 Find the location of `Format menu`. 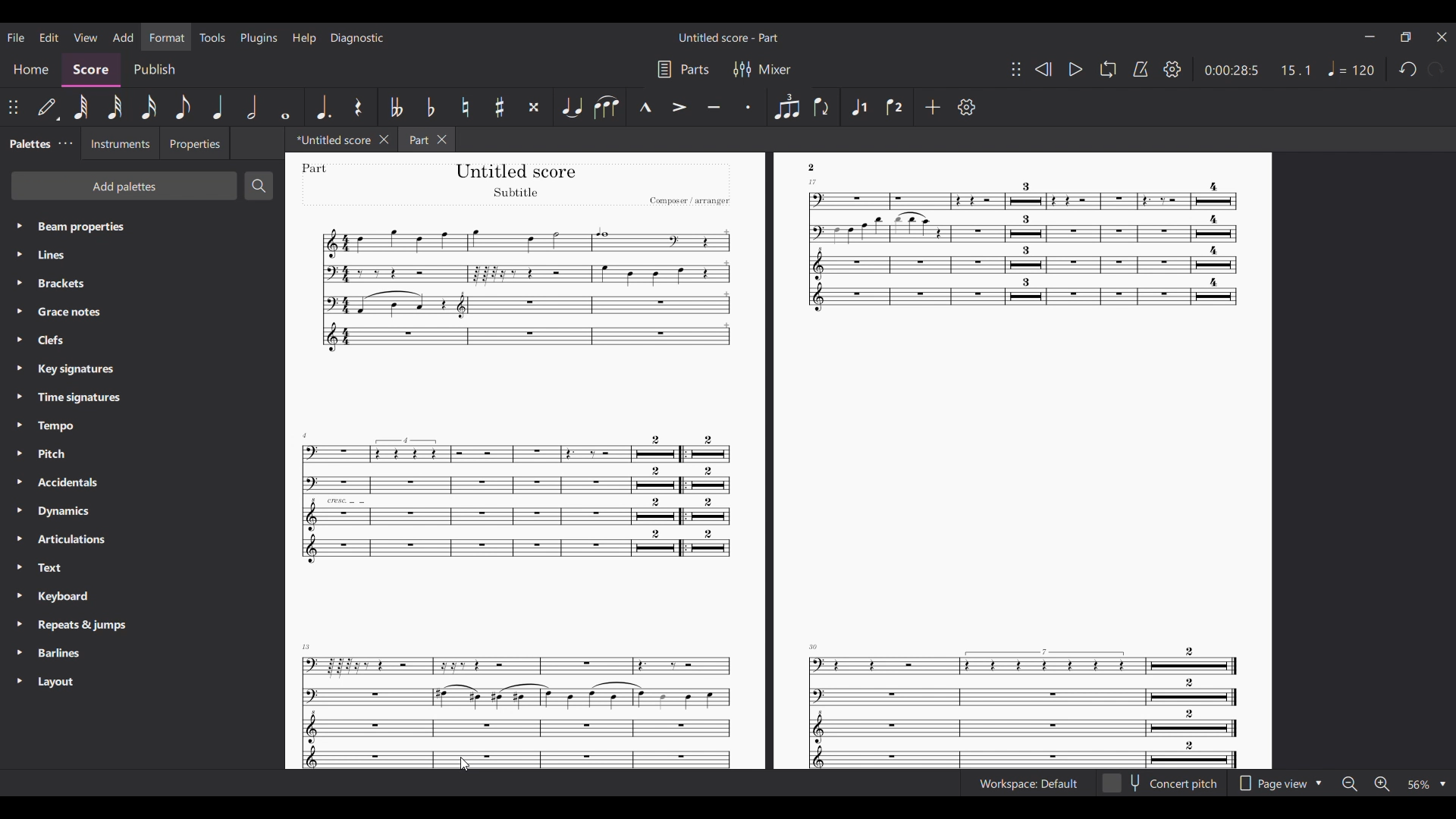

Format menu is located at coordinates (166, 36).